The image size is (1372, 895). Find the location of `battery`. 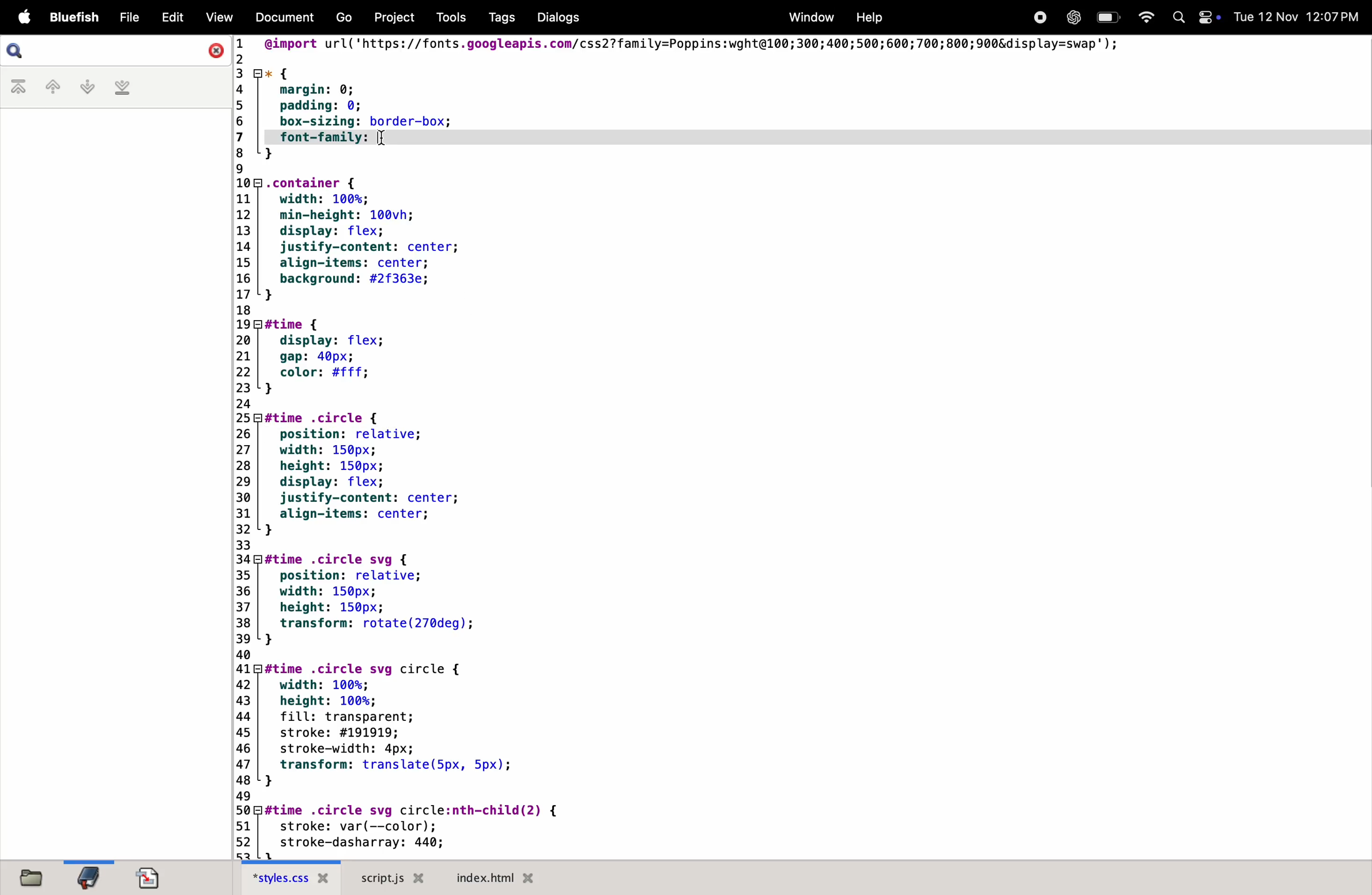

battery is located at coordinates (1107, 17).